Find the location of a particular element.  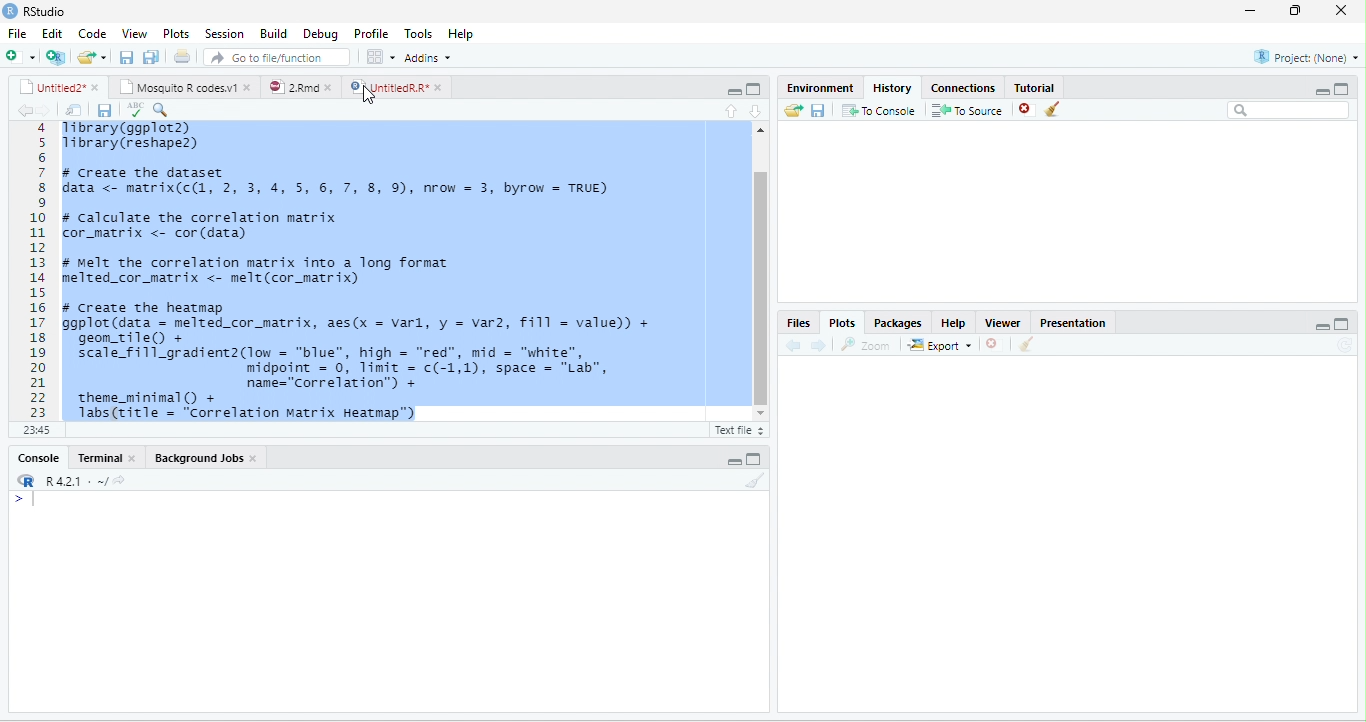

 is located at coordinates (1305, 323).